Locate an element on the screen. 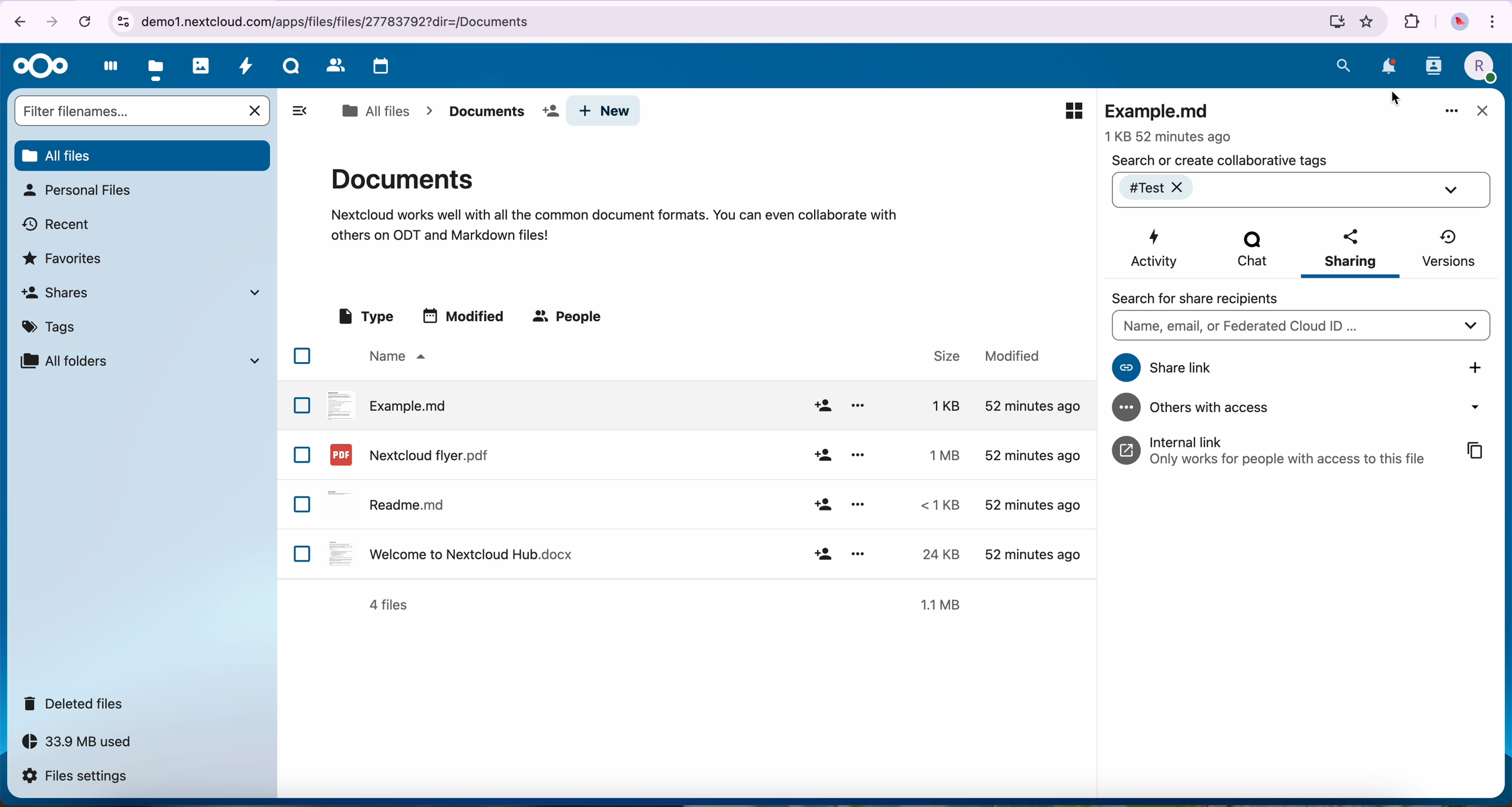 The width and height of the screenshot is (1512, 807). search bar is located at coordinates (127, 110).